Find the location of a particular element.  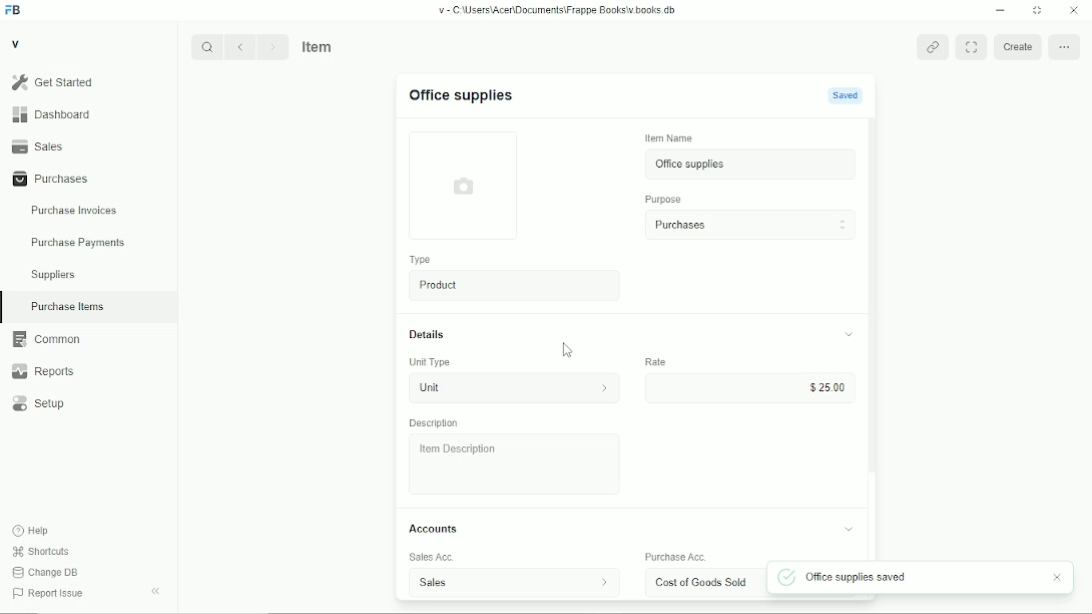

reports is located at coordinates (42, 371).